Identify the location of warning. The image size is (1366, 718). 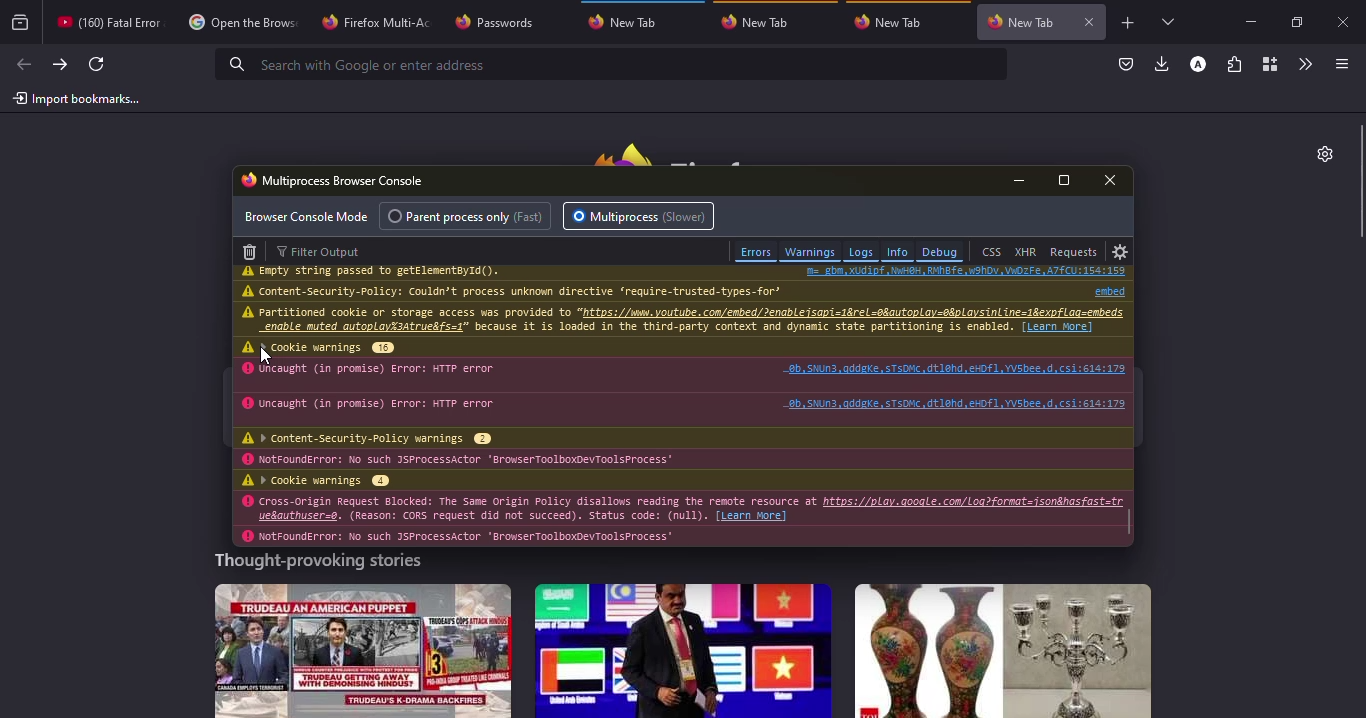
(250, 291).